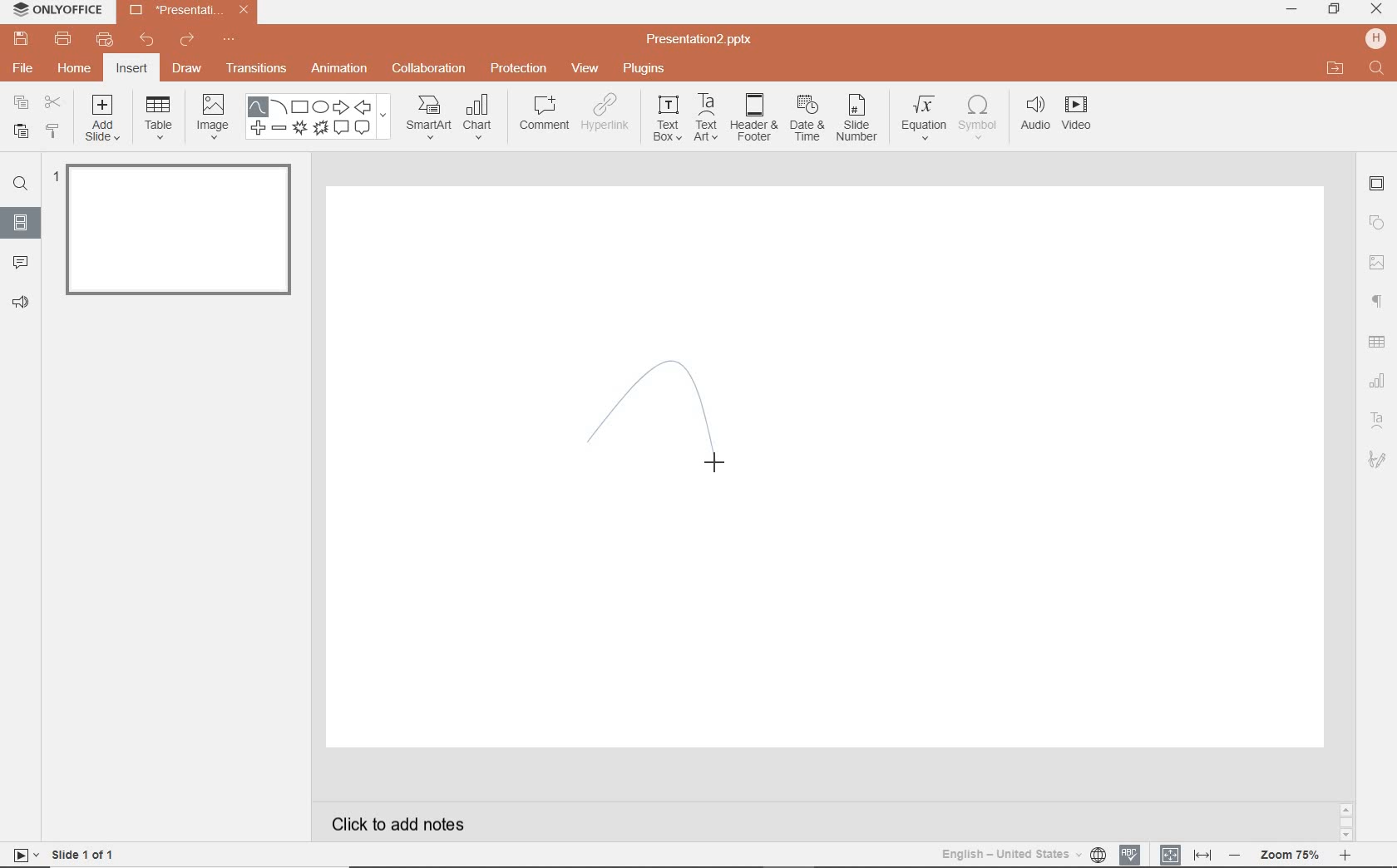  I want to click on TABLE, so click(159, 119).